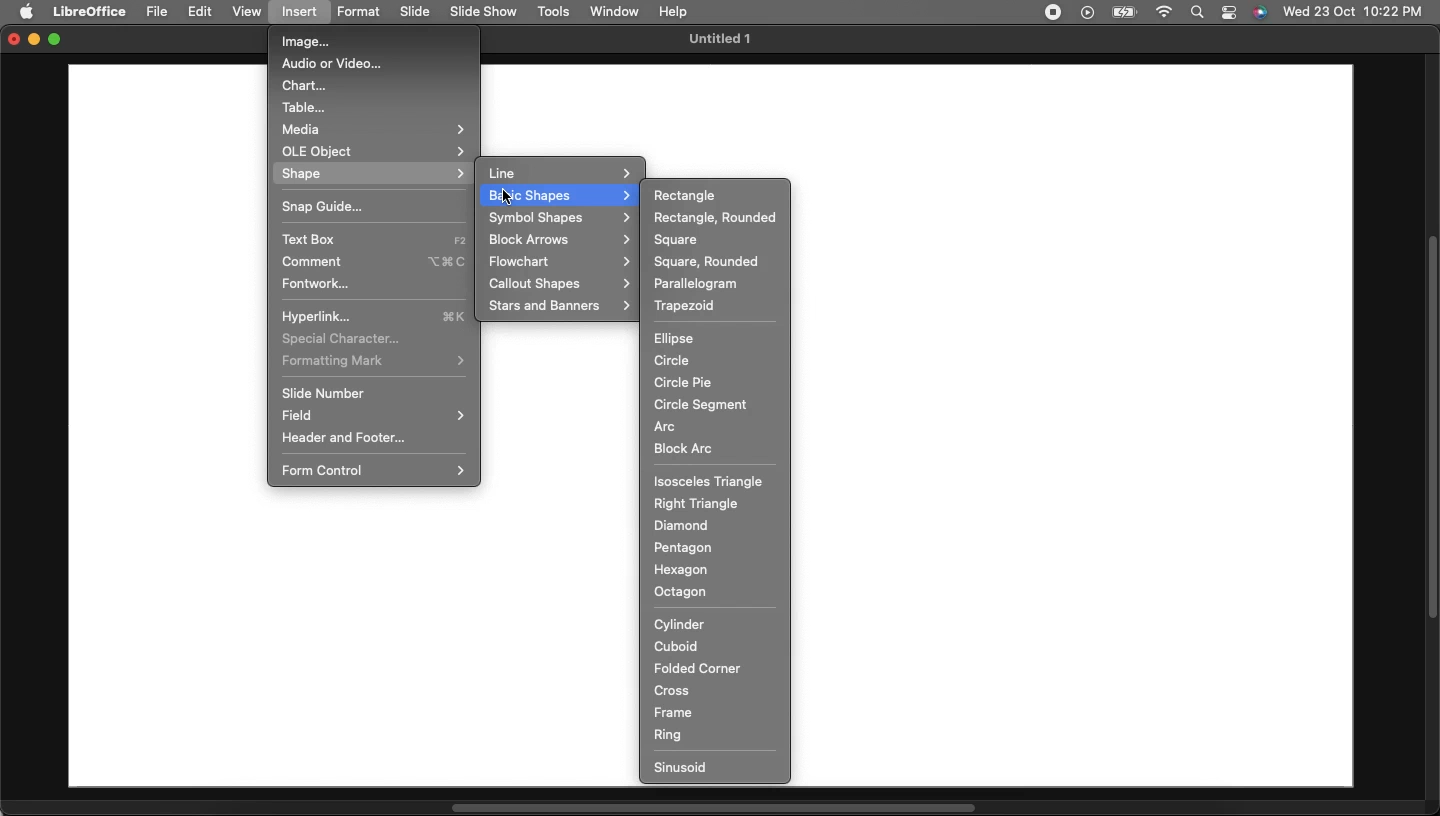 This screenshot has height=816, width=1440. Describe the element at coordinates (363, 13) in the screenshot. I see `Format` at that location.